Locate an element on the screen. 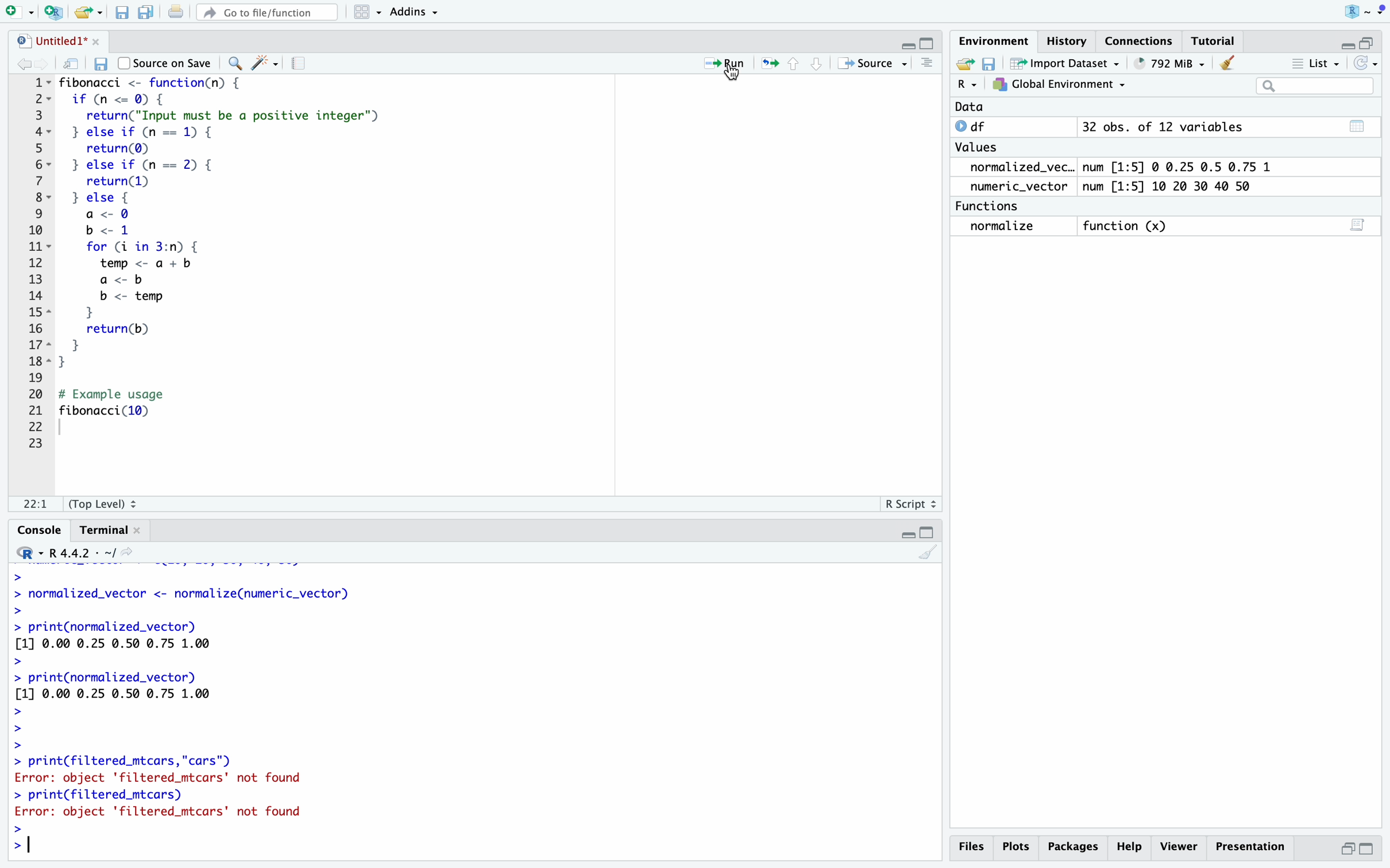  create a project is located at coordinates (55, 12).